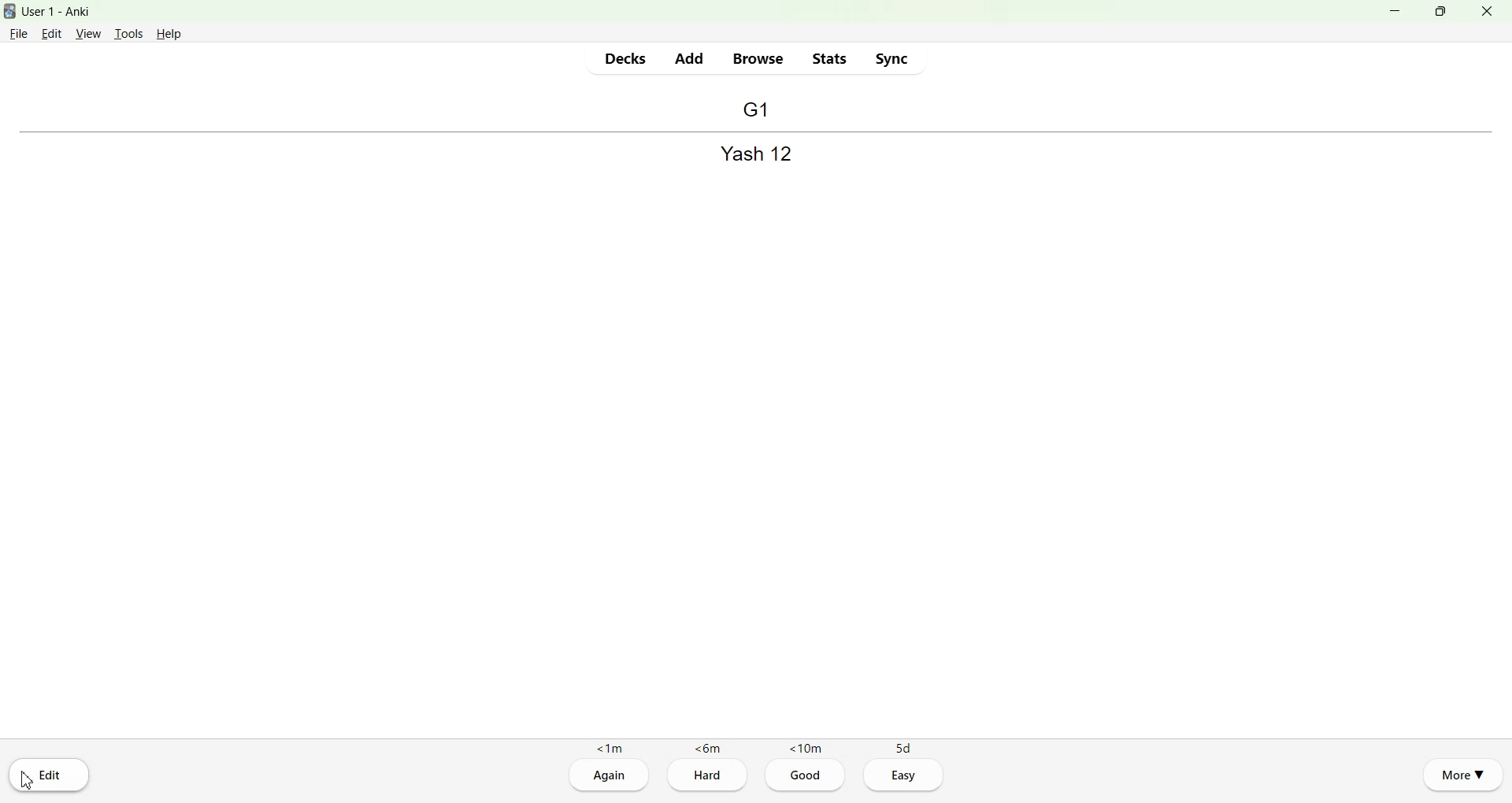  Describe the element at coordinates (1397, 11) in the screenshot. I see `Minimize` at that location.